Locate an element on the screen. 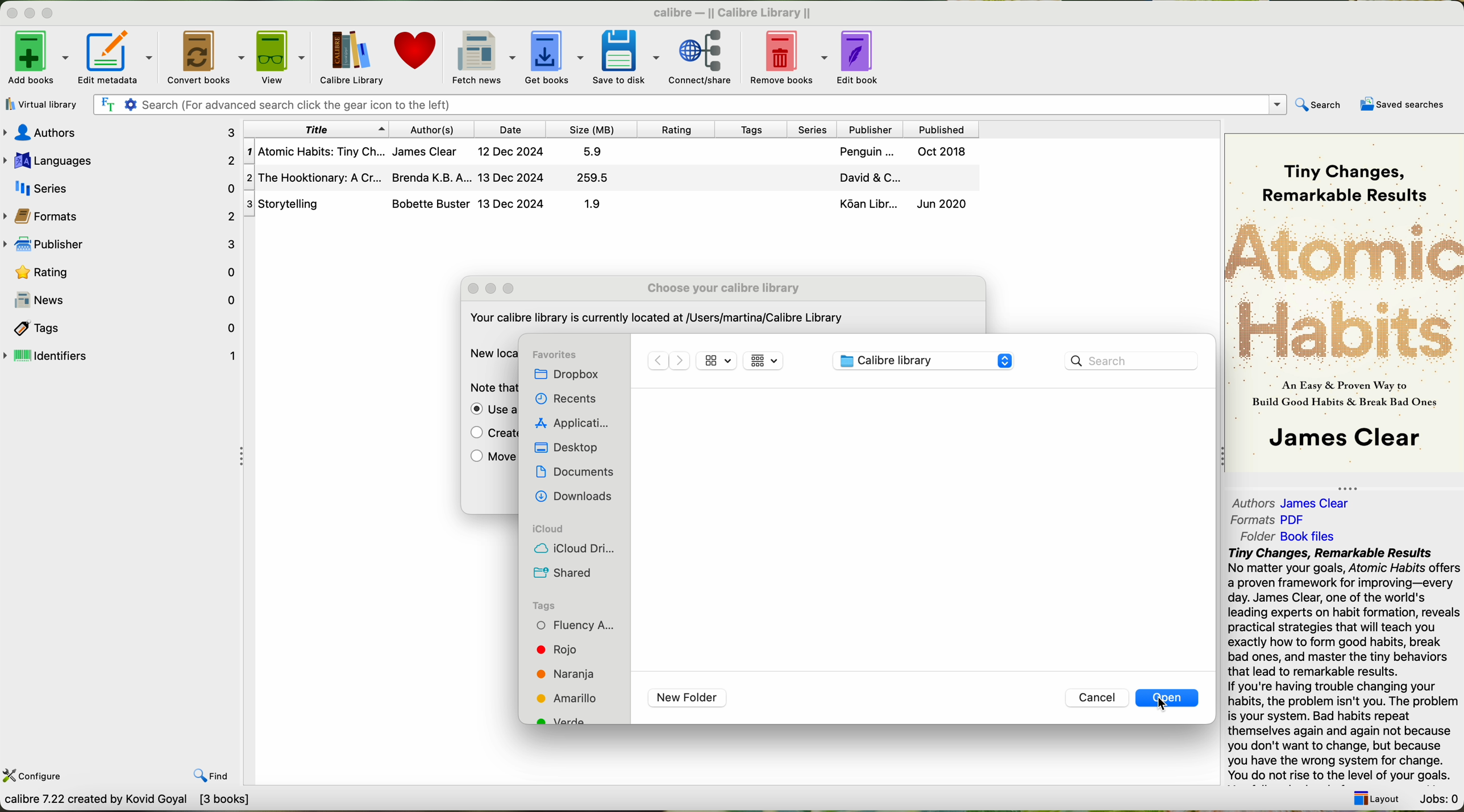  layout is located at coordinates (1380, 801).